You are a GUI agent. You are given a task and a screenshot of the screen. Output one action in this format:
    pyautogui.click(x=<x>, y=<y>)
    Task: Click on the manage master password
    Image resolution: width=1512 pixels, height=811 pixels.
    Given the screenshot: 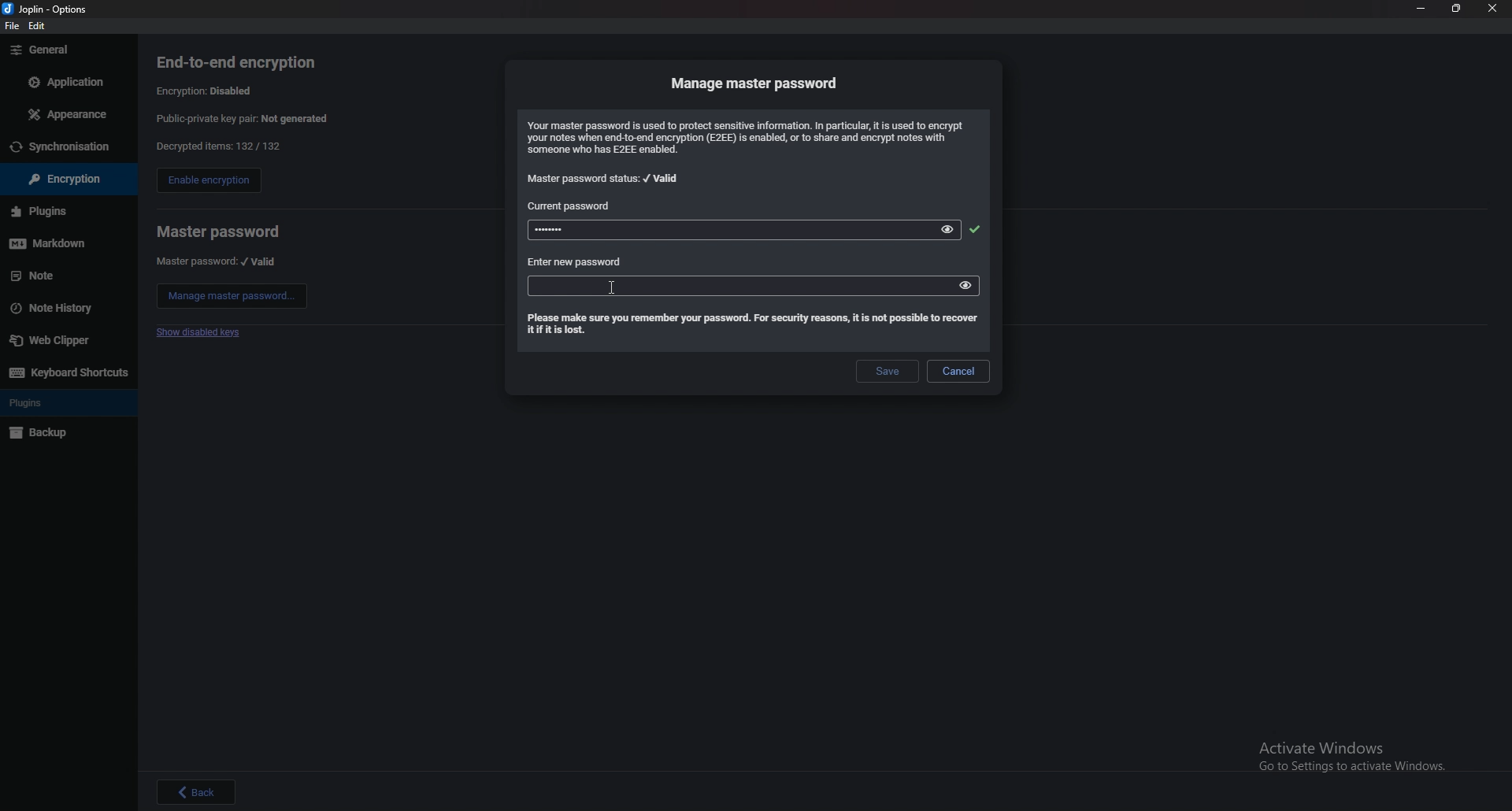 What is the action you would take?
    pyautogui.click(x=757, y=83)
    